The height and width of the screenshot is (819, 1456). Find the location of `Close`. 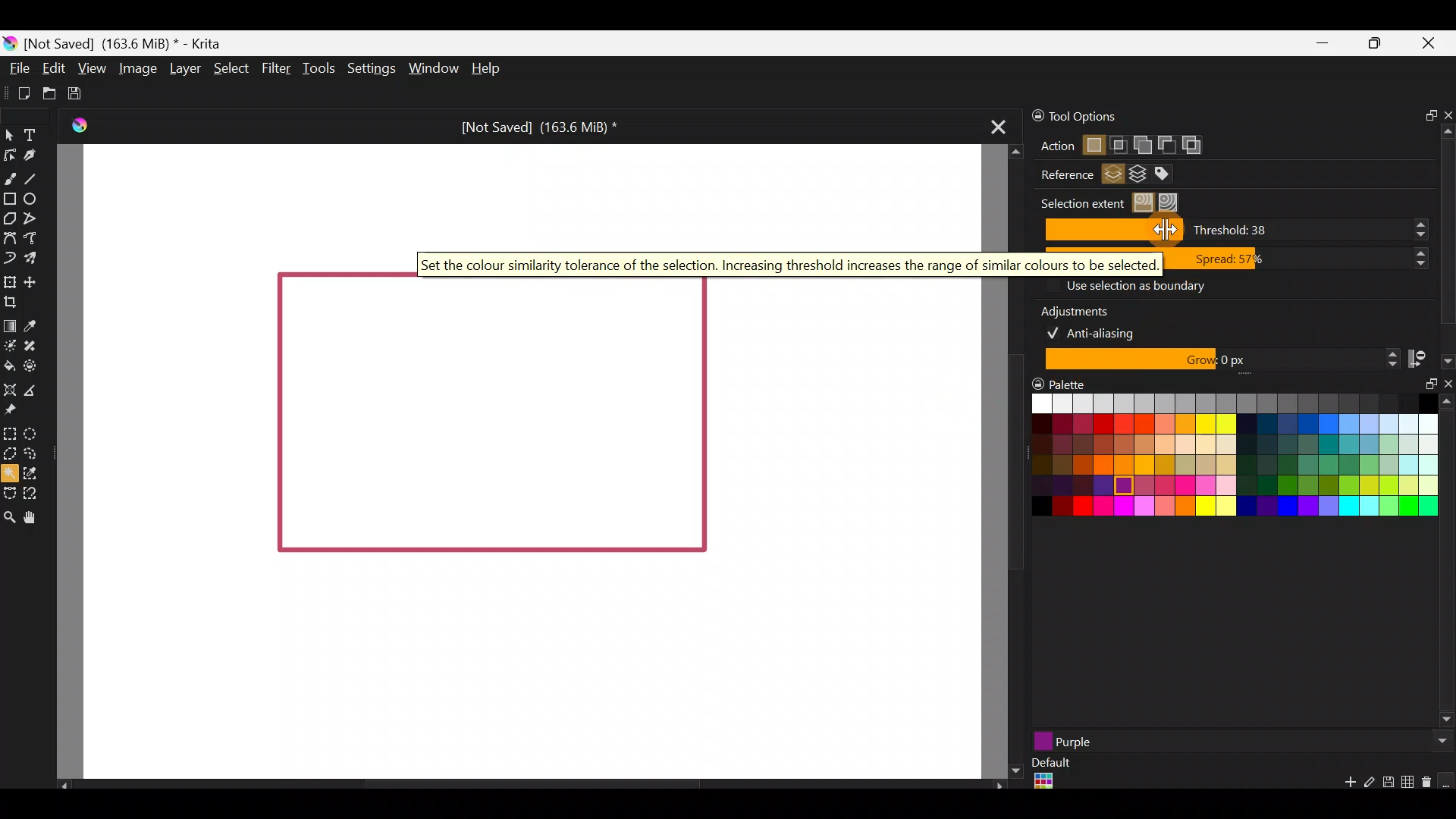

Close is located at coordinates (1433, 45).